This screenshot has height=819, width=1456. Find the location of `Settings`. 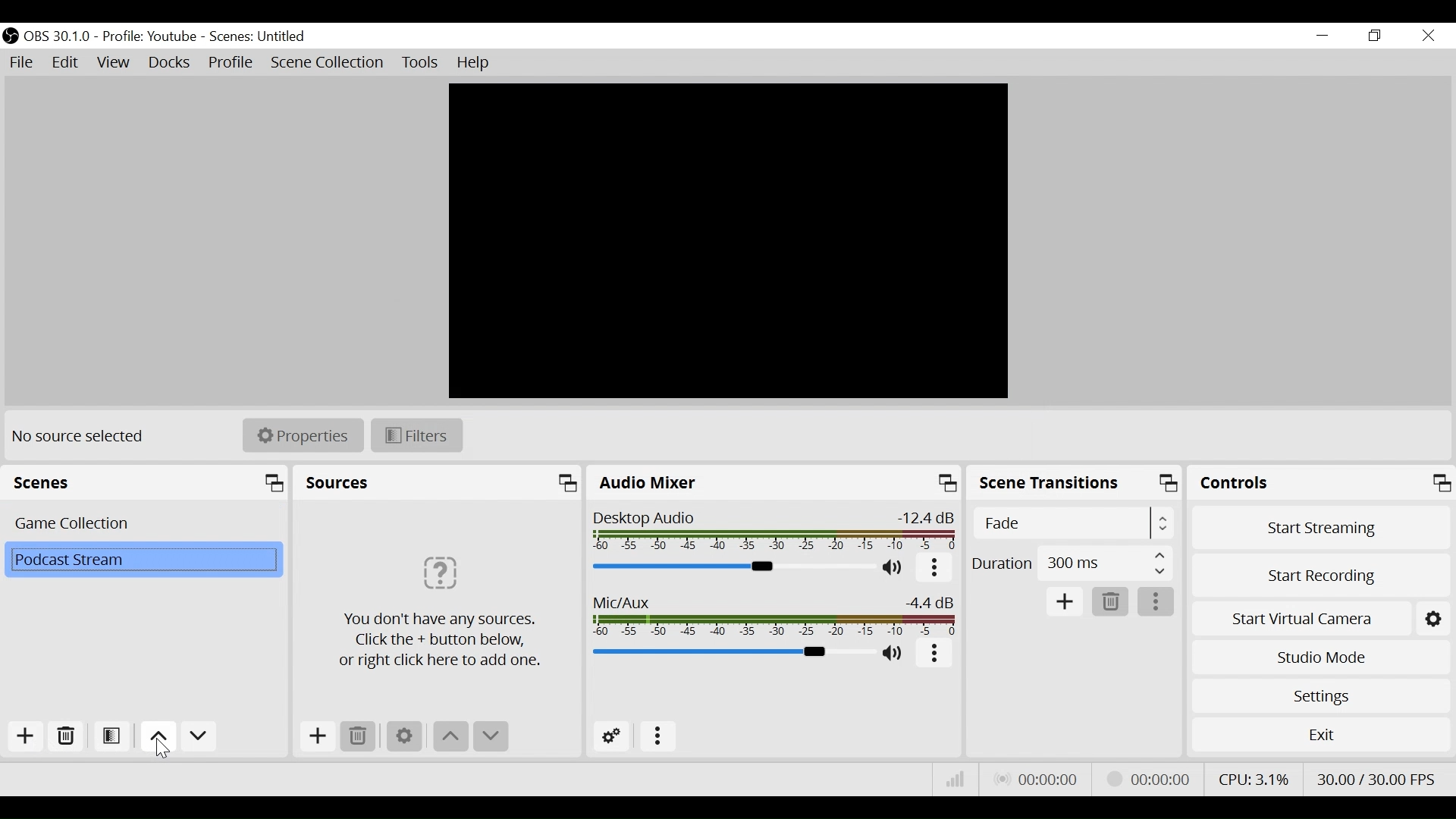

Settings is located at coordinates (404, 736).